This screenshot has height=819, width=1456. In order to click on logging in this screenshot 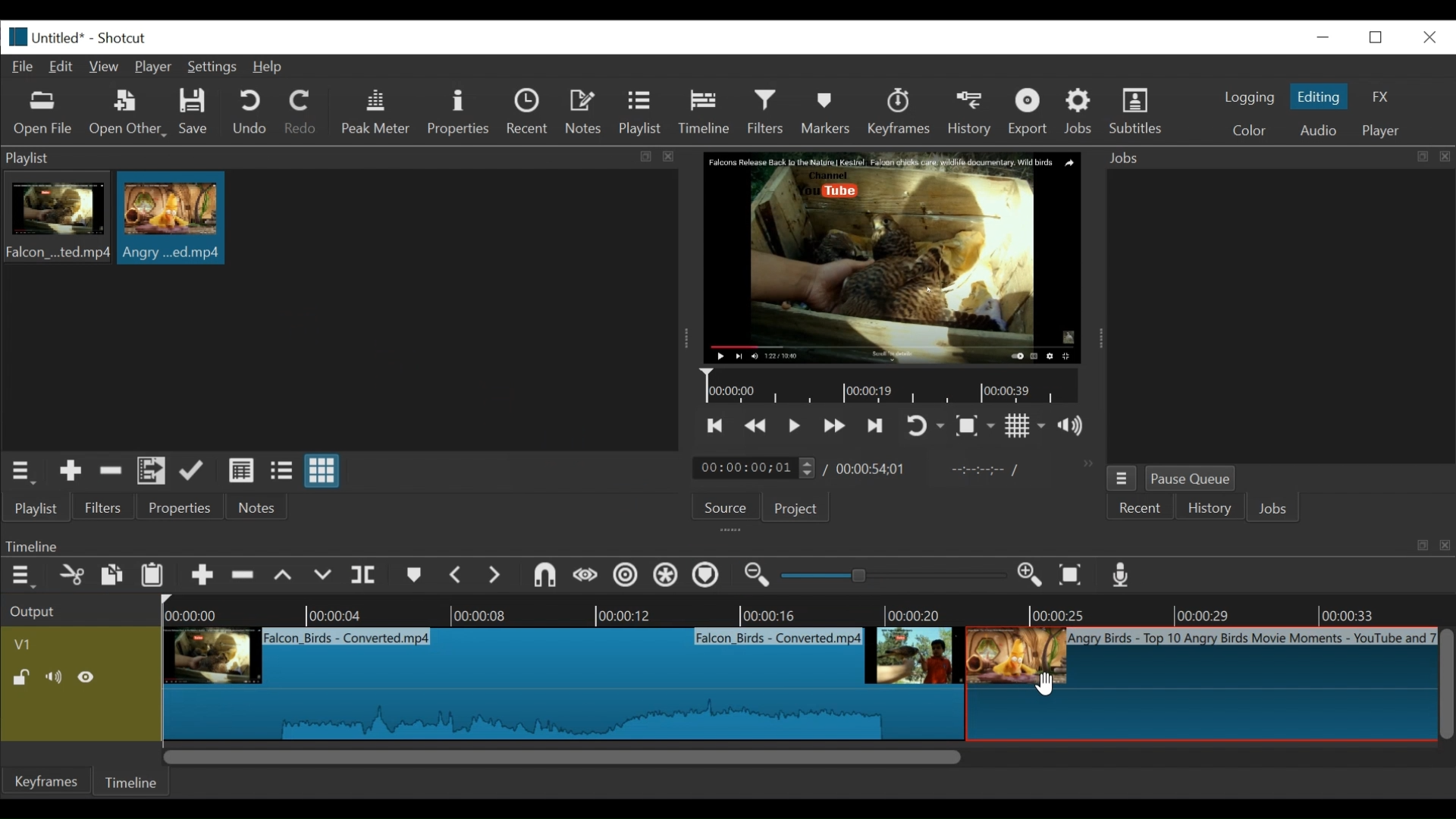, I will do `click(1248, 97)`.